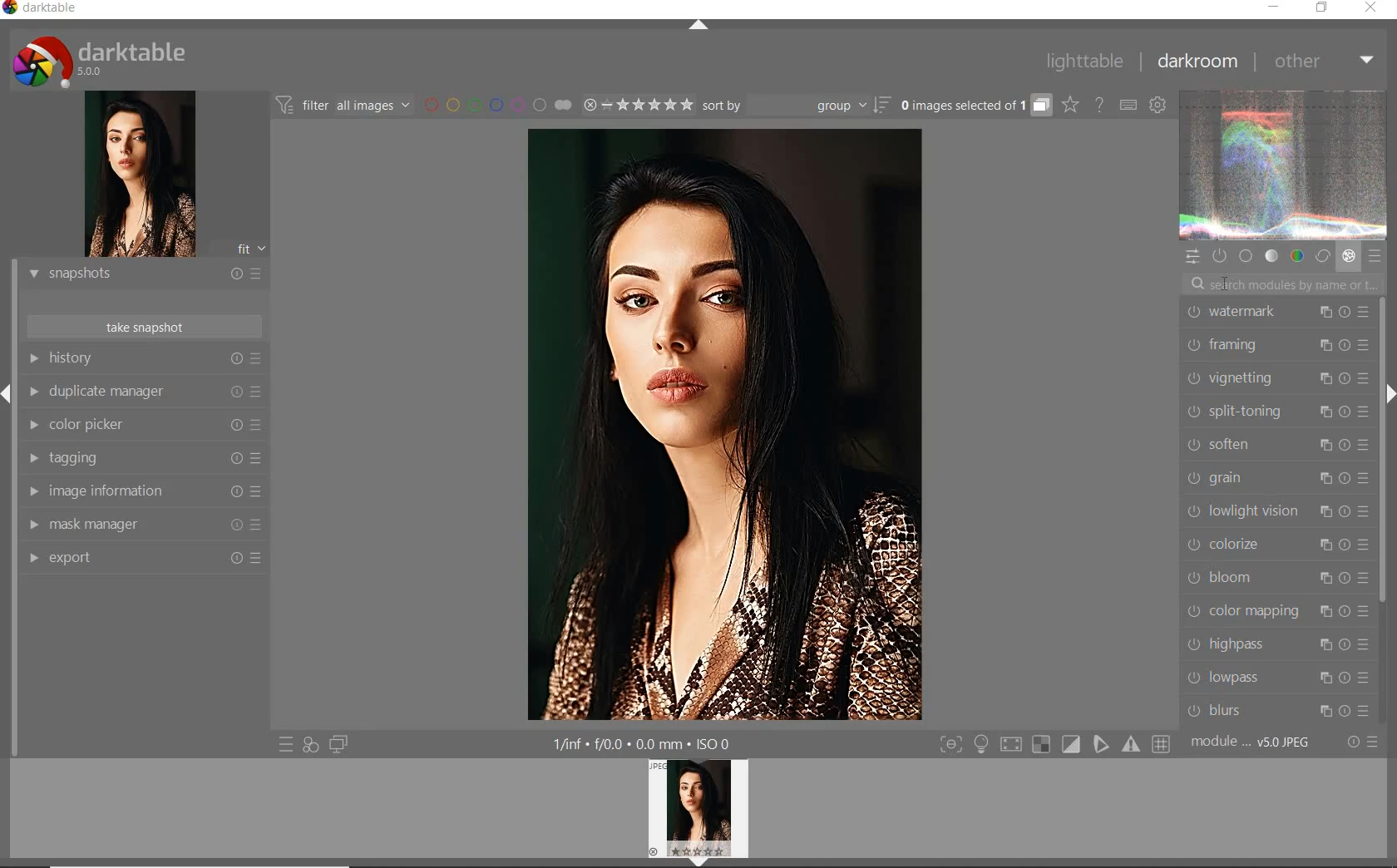  Describe the element at coordinates (1069, 106) in the screenshot. I see `change overlays shown on thumbnails` at that location.